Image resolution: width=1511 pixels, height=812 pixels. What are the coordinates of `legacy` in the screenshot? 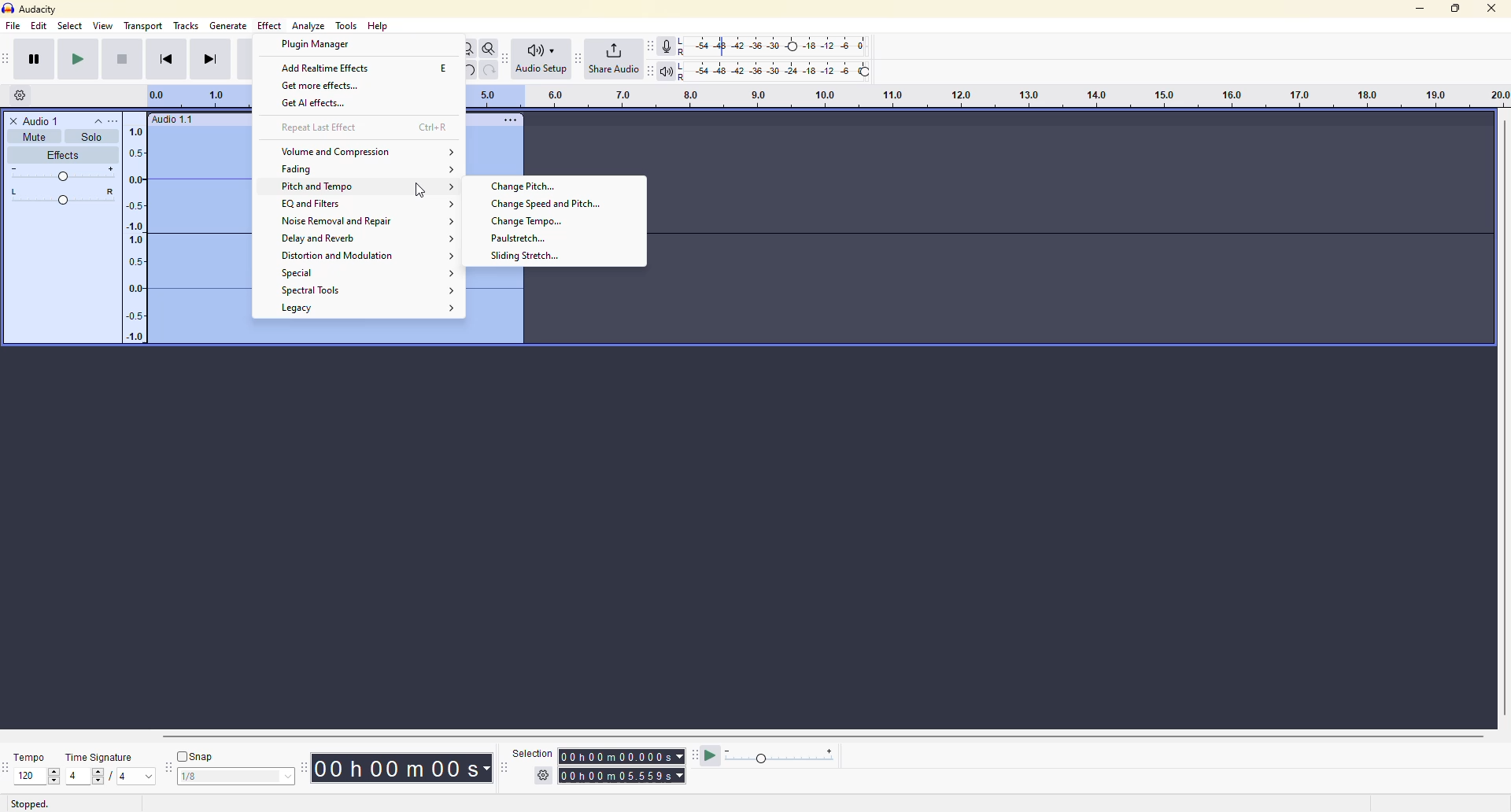 It's located at (300, 309).